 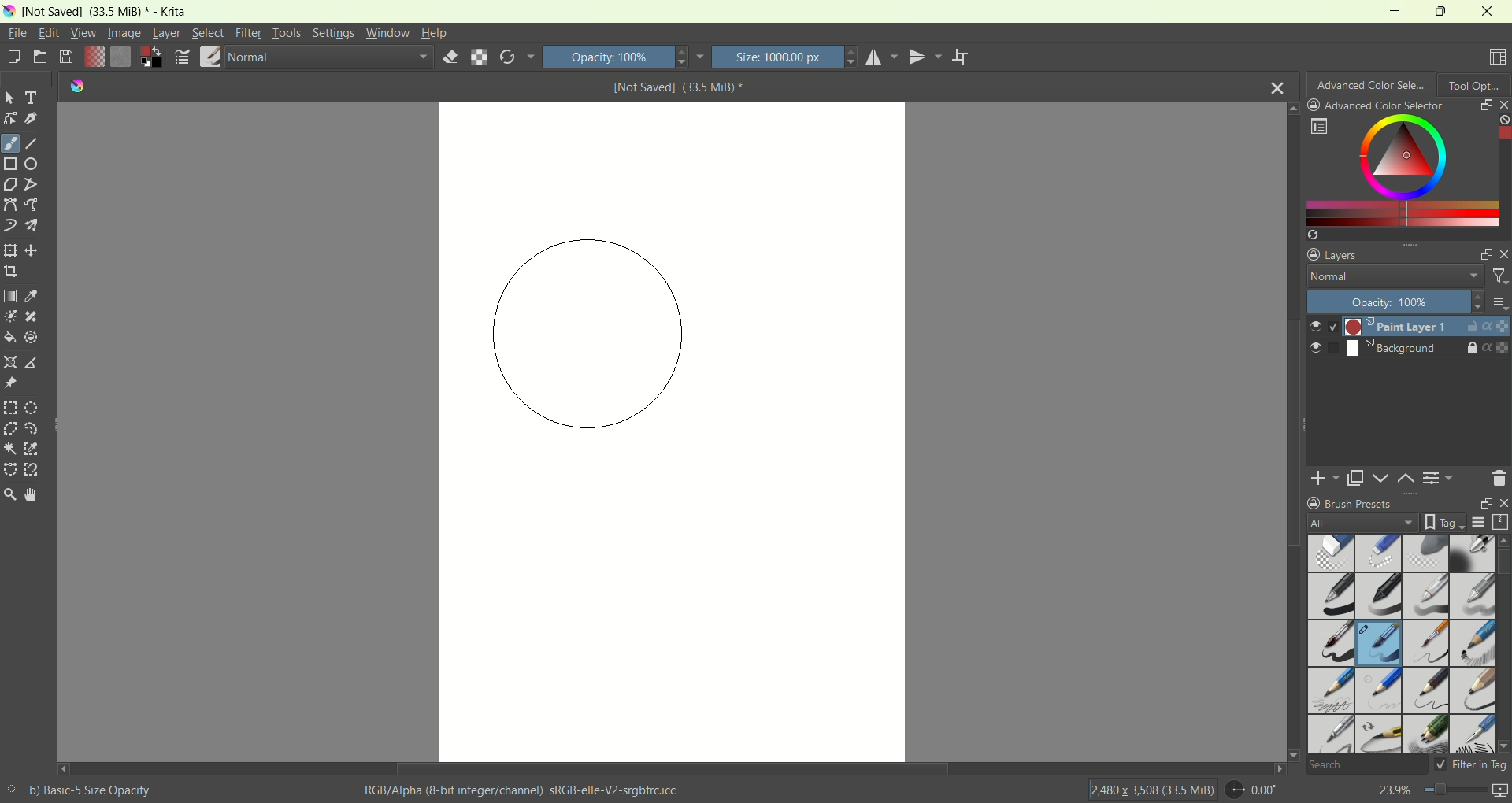 I want to click on multibrush, so click(x=31, y=225).